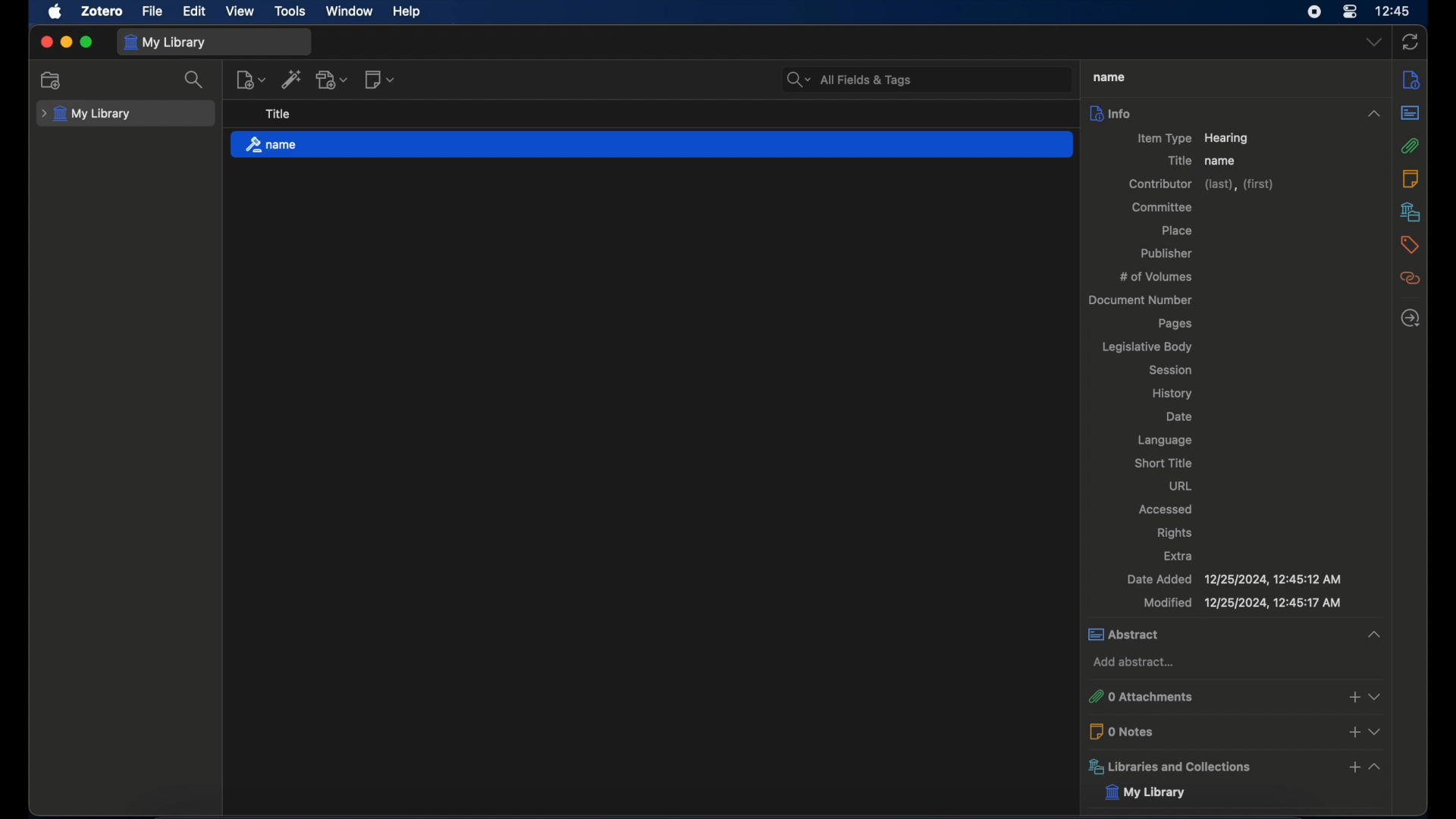  I want to click on help, so click(408, 12).